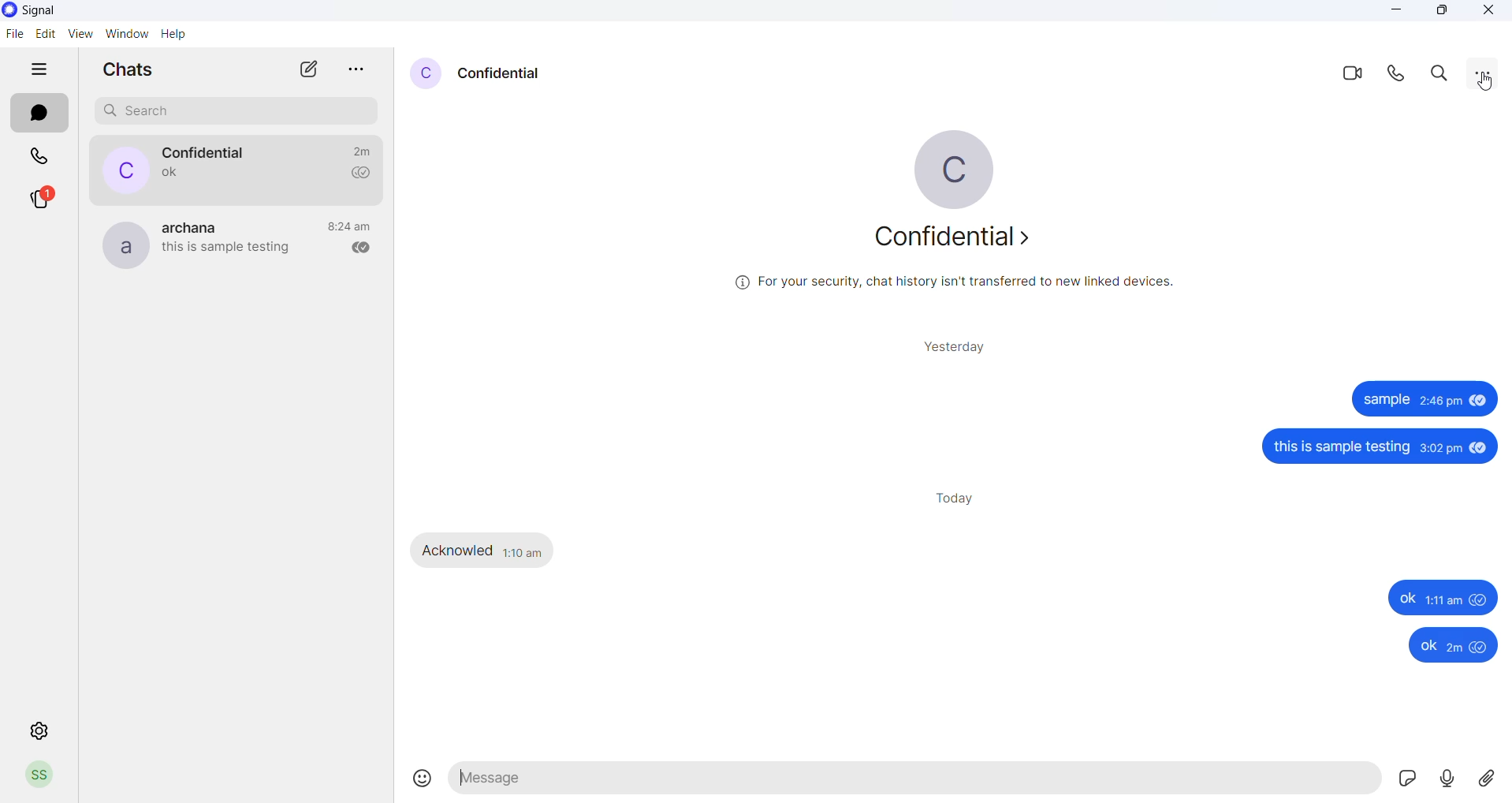  Describe the element at coordinates (959, 346) in the screenshot. I see `yesterday heading` at that location.